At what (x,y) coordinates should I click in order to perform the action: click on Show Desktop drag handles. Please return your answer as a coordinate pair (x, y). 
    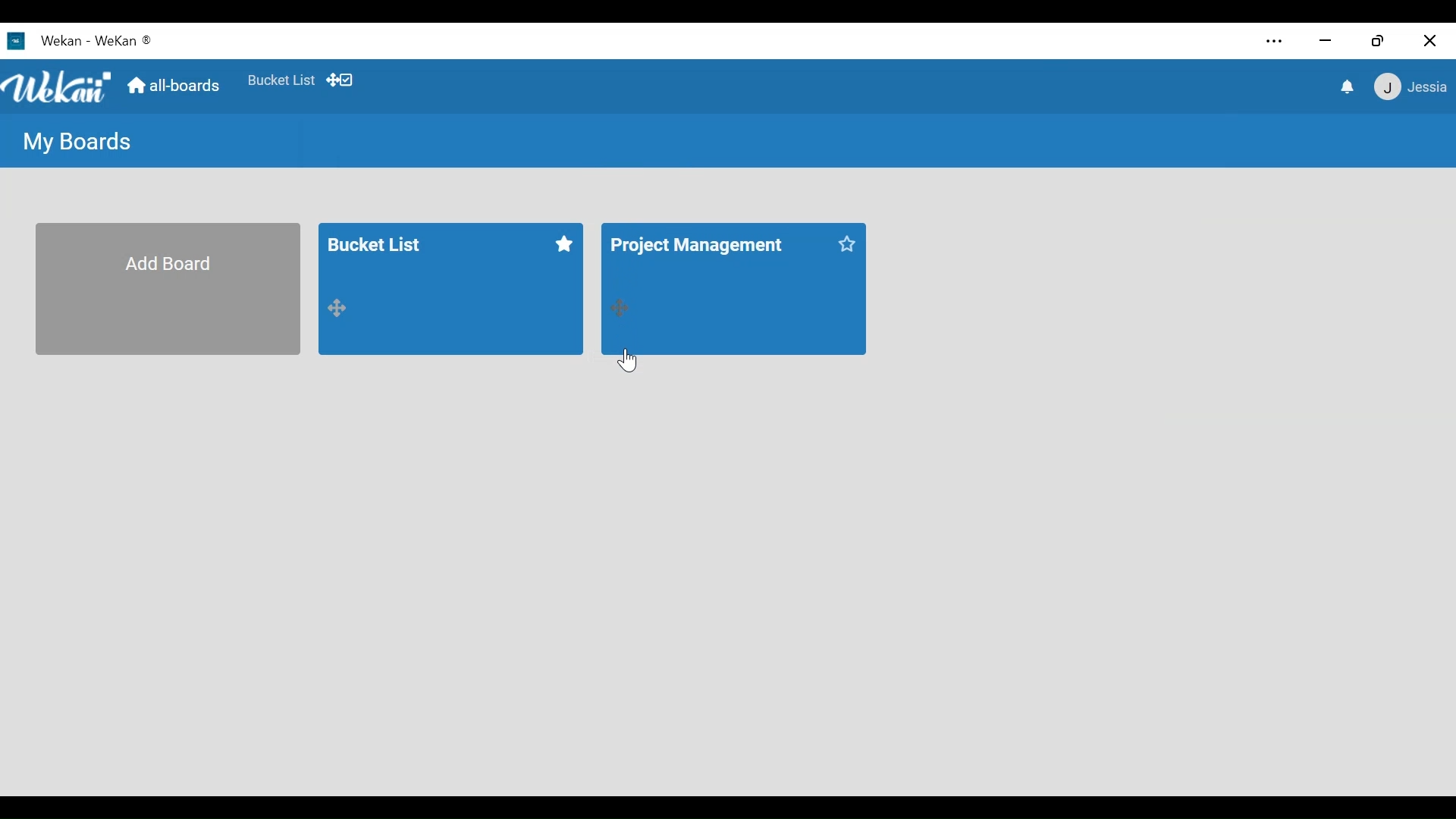
    Looking at the image, I should click on (340, 80).